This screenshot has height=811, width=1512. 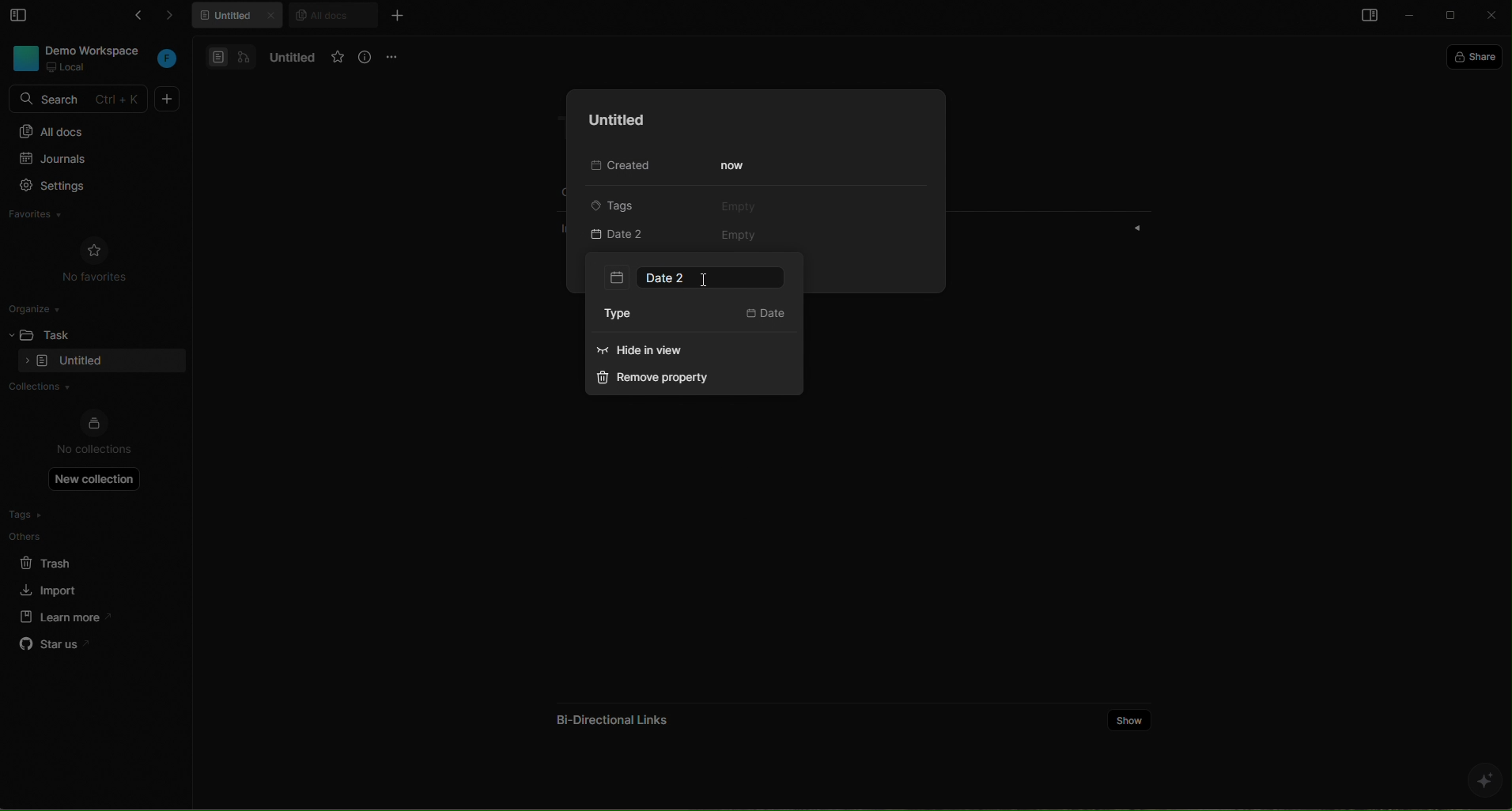 I want to click on task, so click(x=64, y=333).